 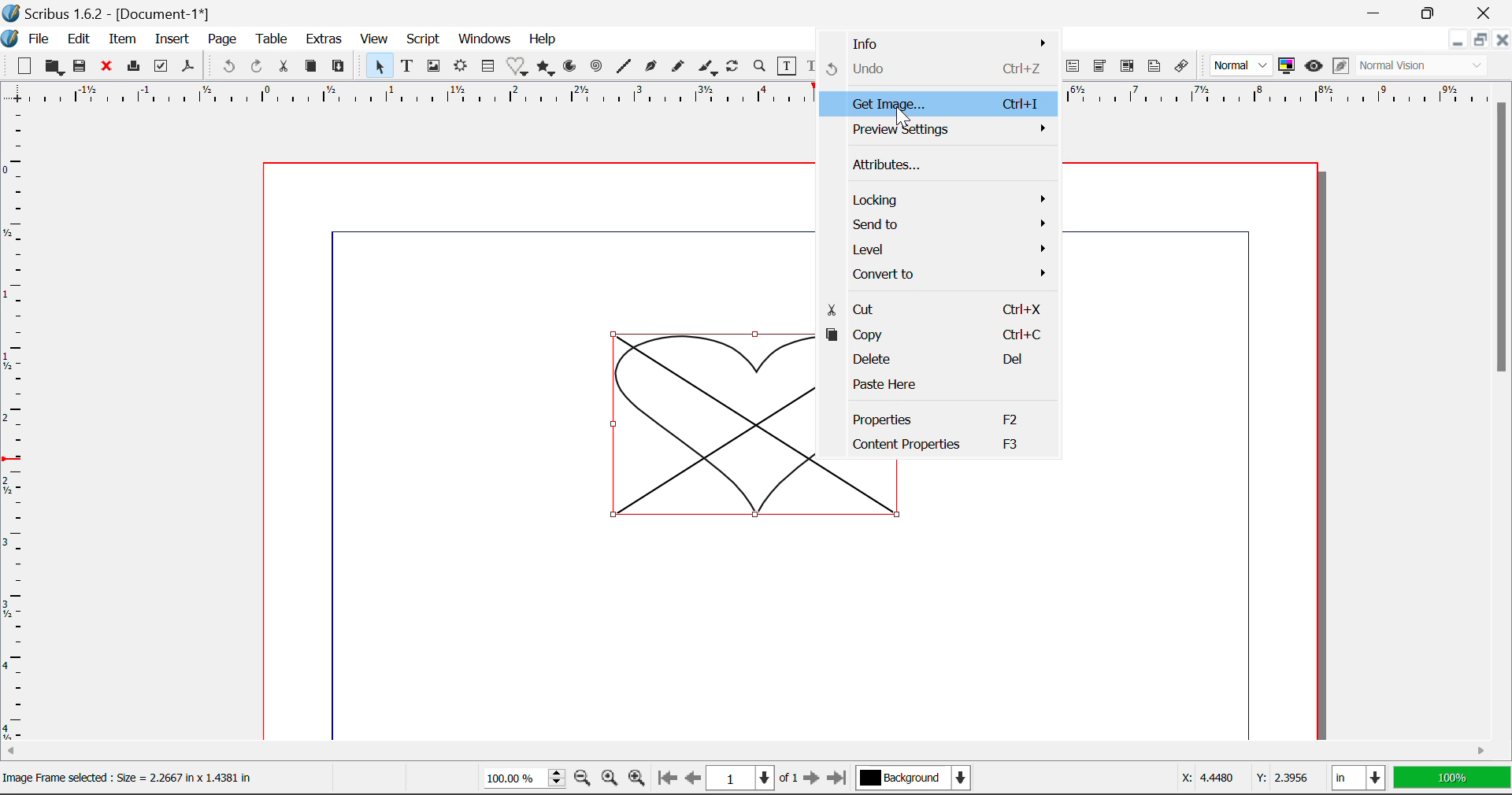 I want to click on Scribus 1.6.2 - [Document-1*], so click(x=117, y=13).